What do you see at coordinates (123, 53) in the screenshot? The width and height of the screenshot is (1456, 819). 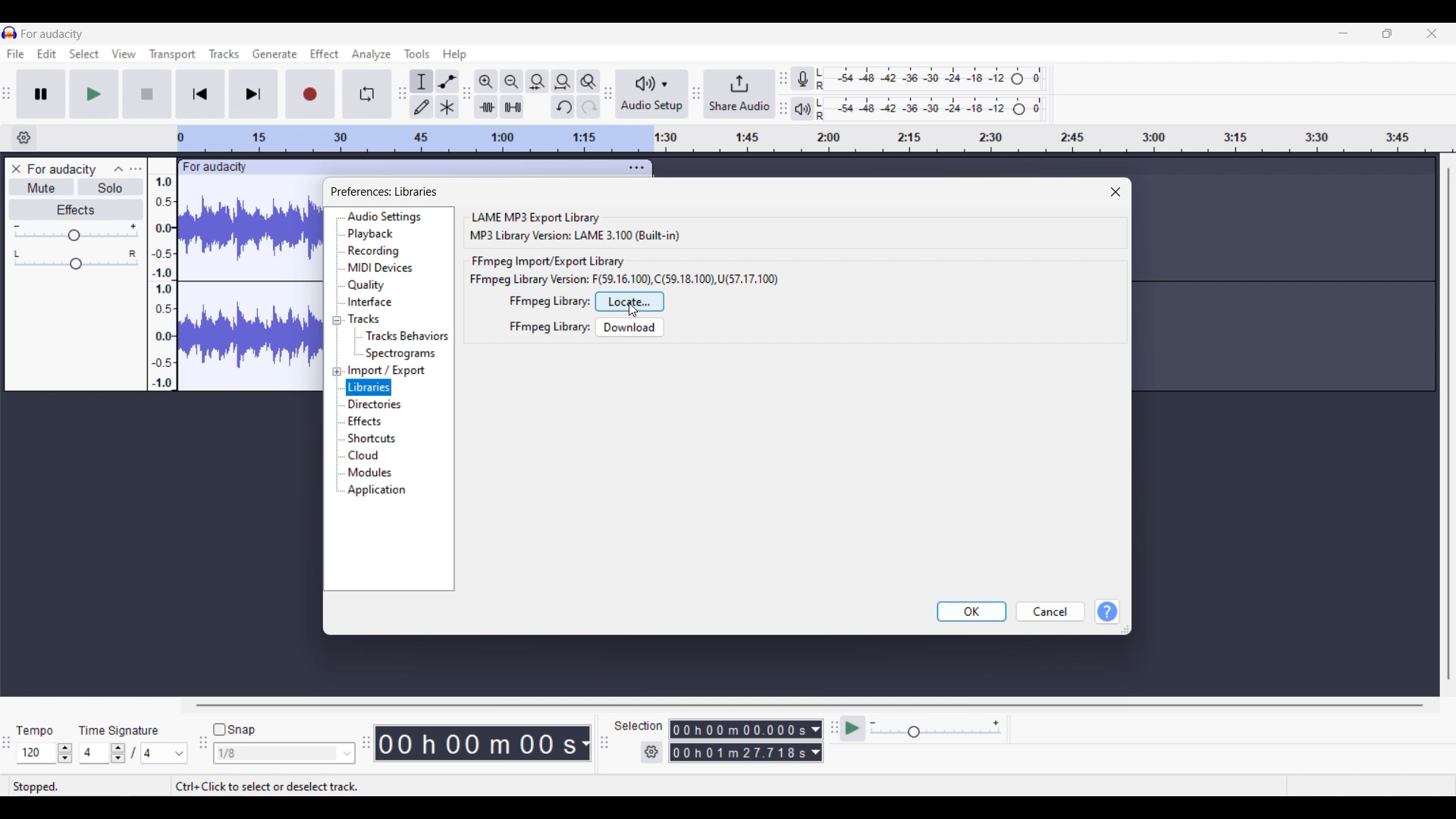 I see `View menu` at bounding box center [123, 53].